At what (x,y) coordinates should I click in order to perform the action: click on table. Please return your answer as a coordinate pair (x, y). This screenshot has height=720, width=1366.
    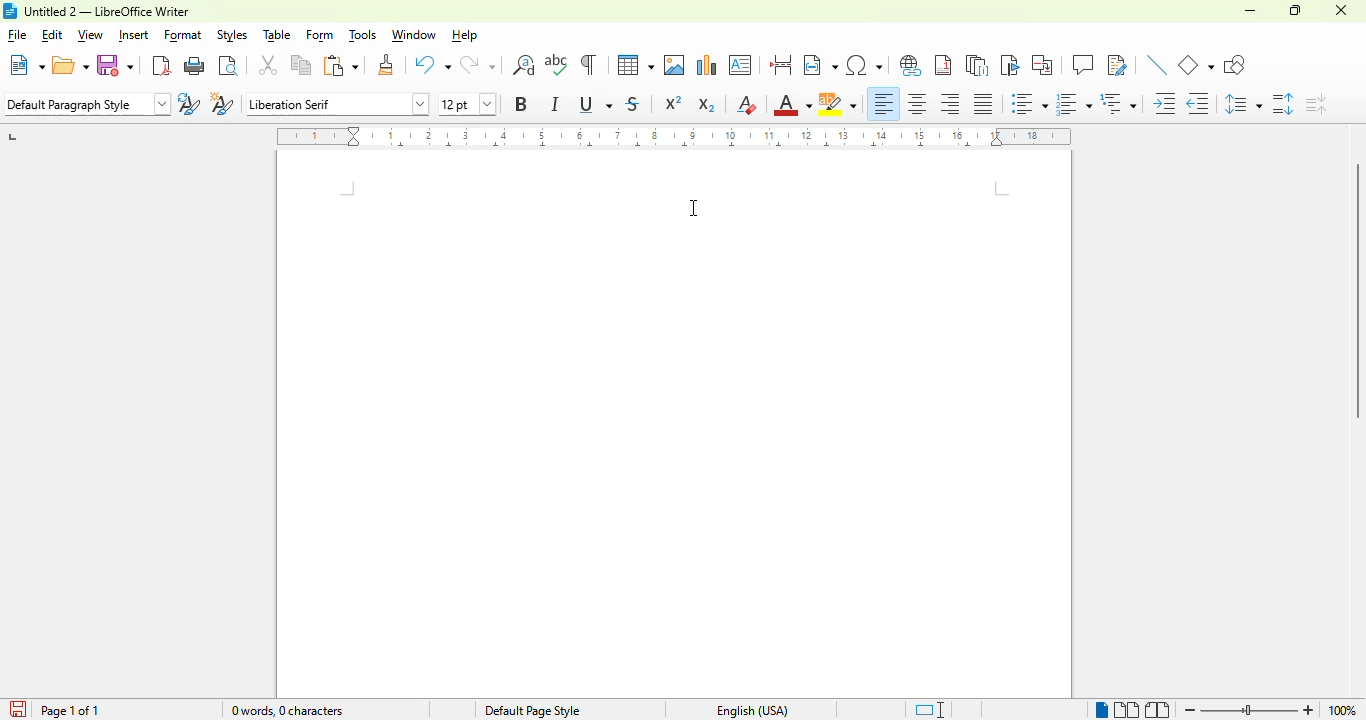
    Looking at the image, I should click on (277, 34).